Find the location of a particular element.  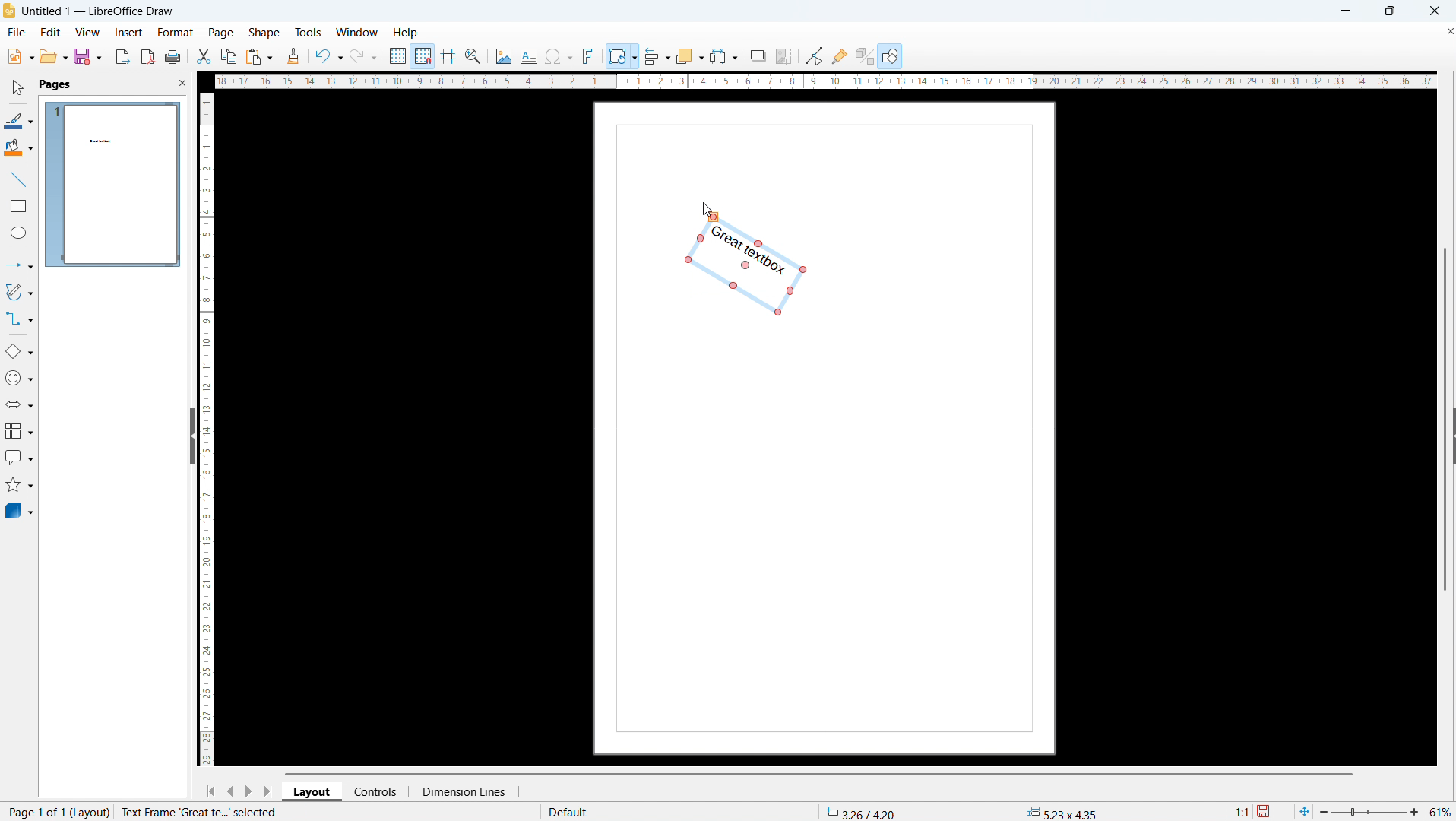

Page  is located at coordinates (831, 540).